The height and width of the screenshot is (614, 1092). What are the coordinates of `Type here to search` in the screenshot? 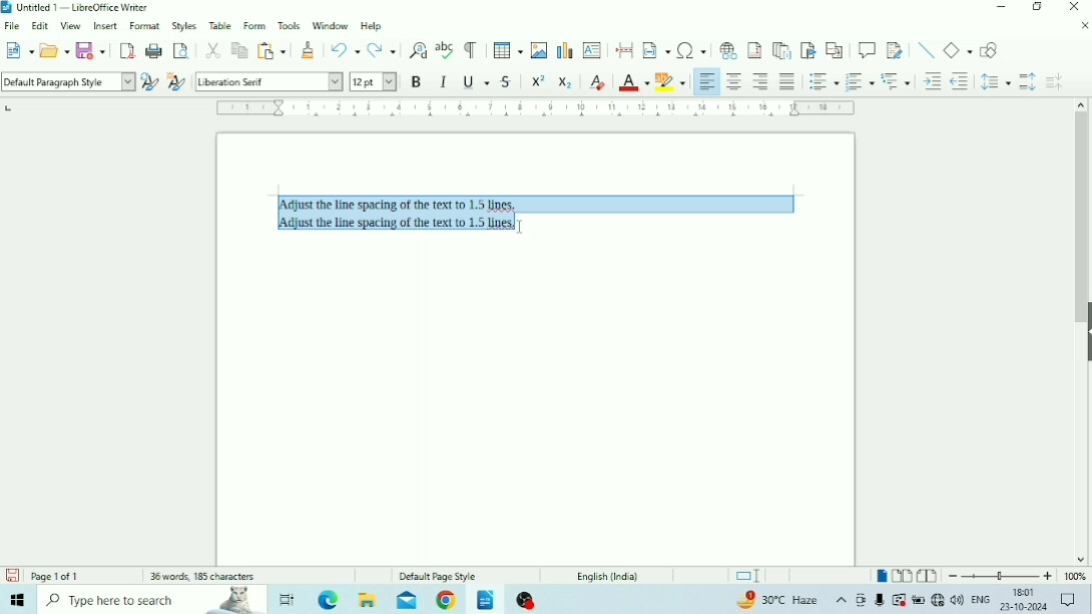 It's located at (152, 600).